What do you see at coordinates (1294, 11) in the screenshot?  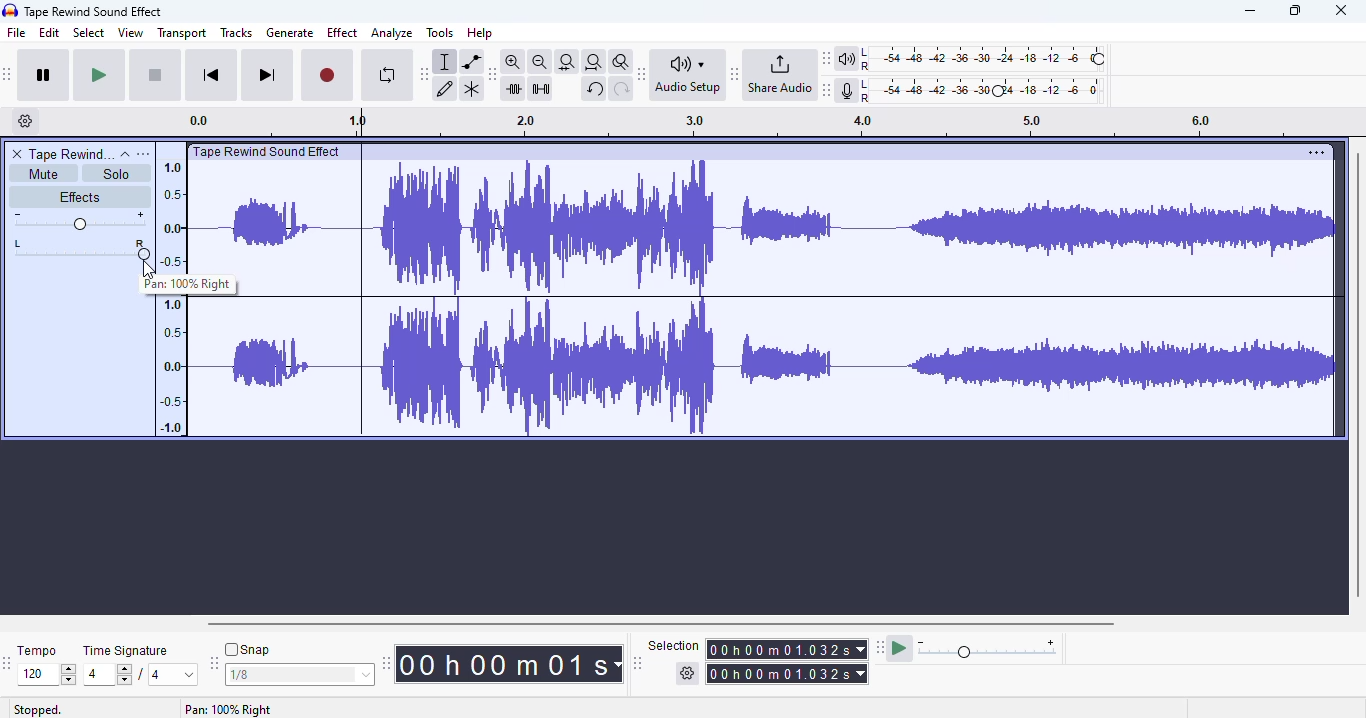 I see `maximize` at bounding box center [1294, 11].